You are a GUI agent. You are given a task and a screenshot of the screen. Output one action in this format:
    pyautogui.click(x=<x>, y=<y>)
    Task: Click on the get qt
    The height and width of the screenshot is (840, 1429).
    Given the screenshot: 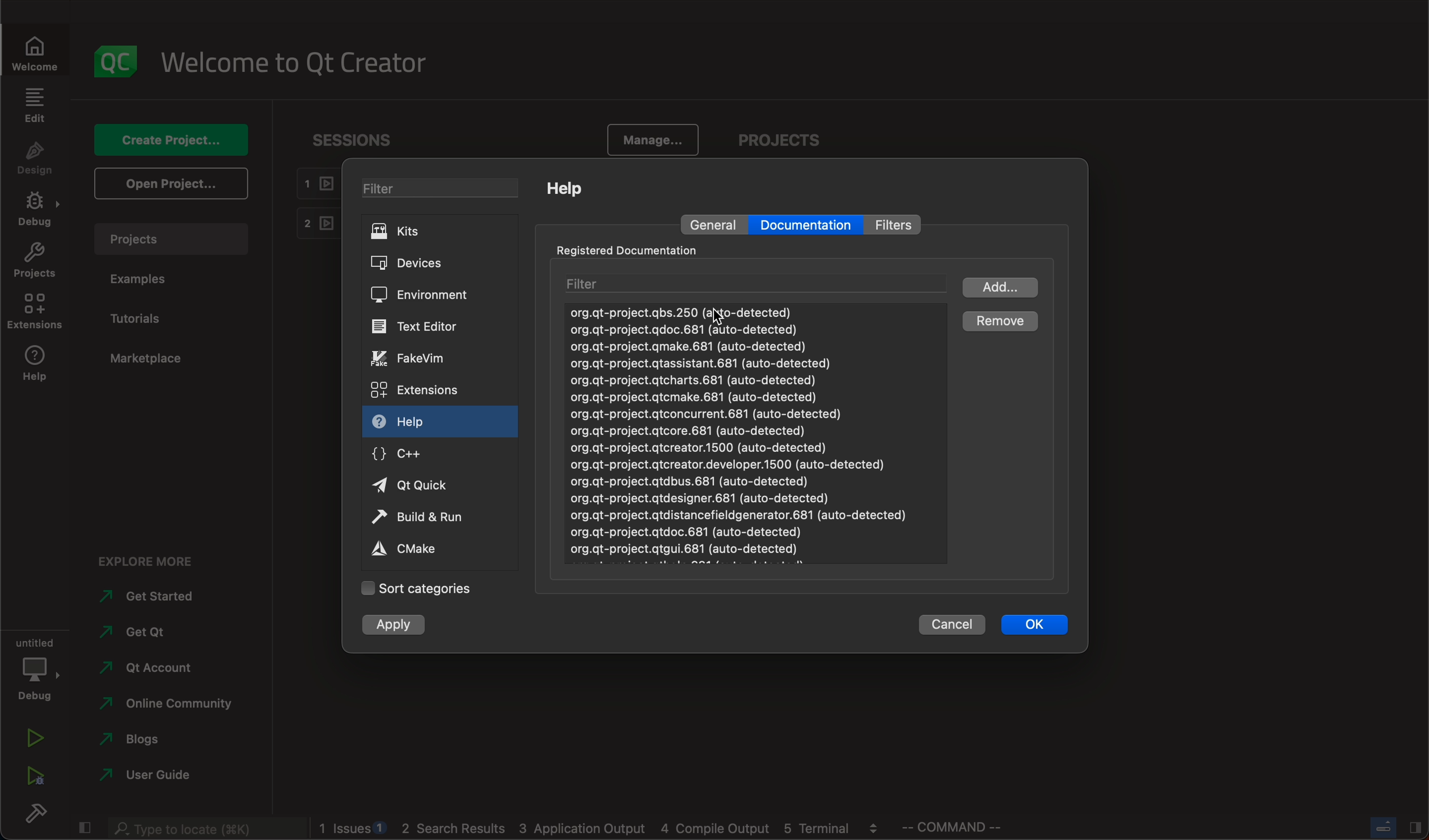 What is the action you would take?
    pyautogui.click(x=150, y=633)
    